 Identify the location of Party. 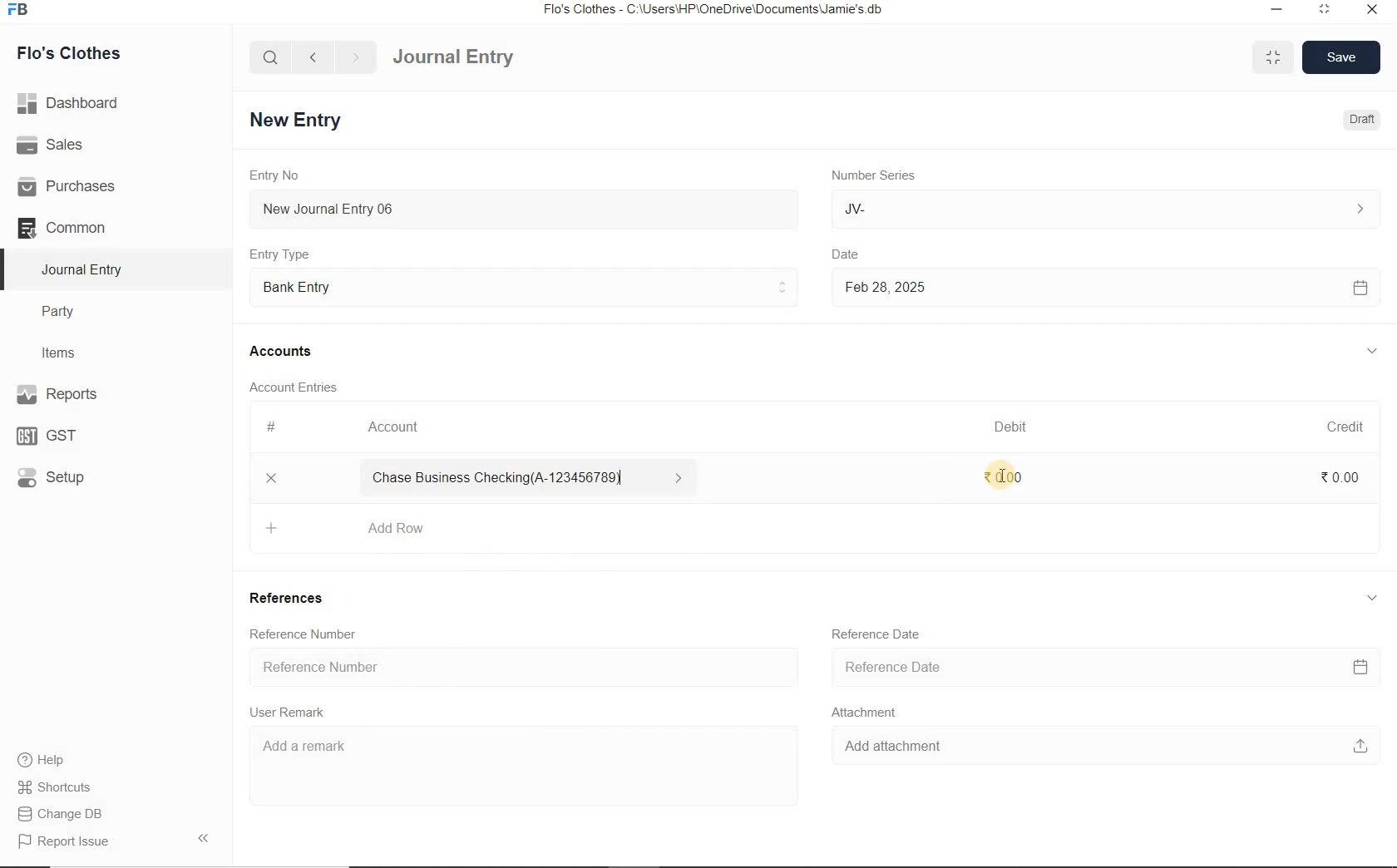
(70, 312).